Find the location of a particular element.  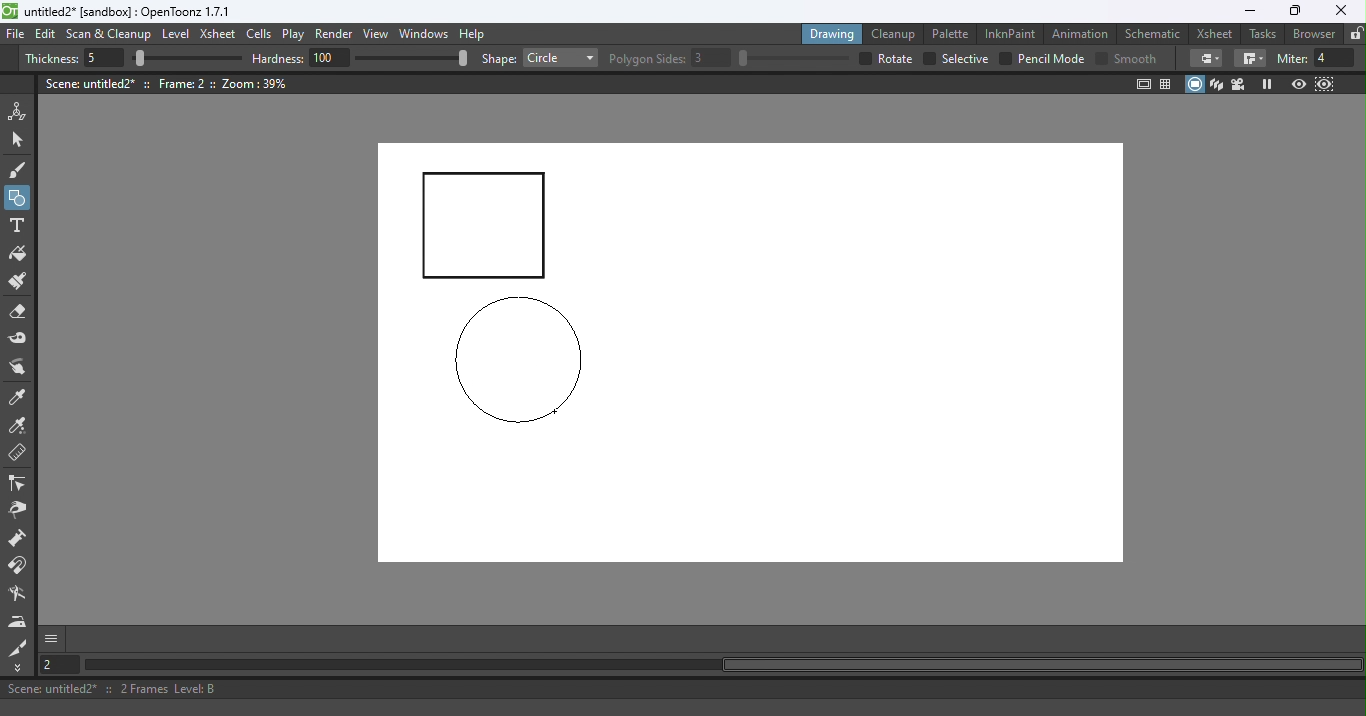

Thickness is located at coordinates (51, 59).